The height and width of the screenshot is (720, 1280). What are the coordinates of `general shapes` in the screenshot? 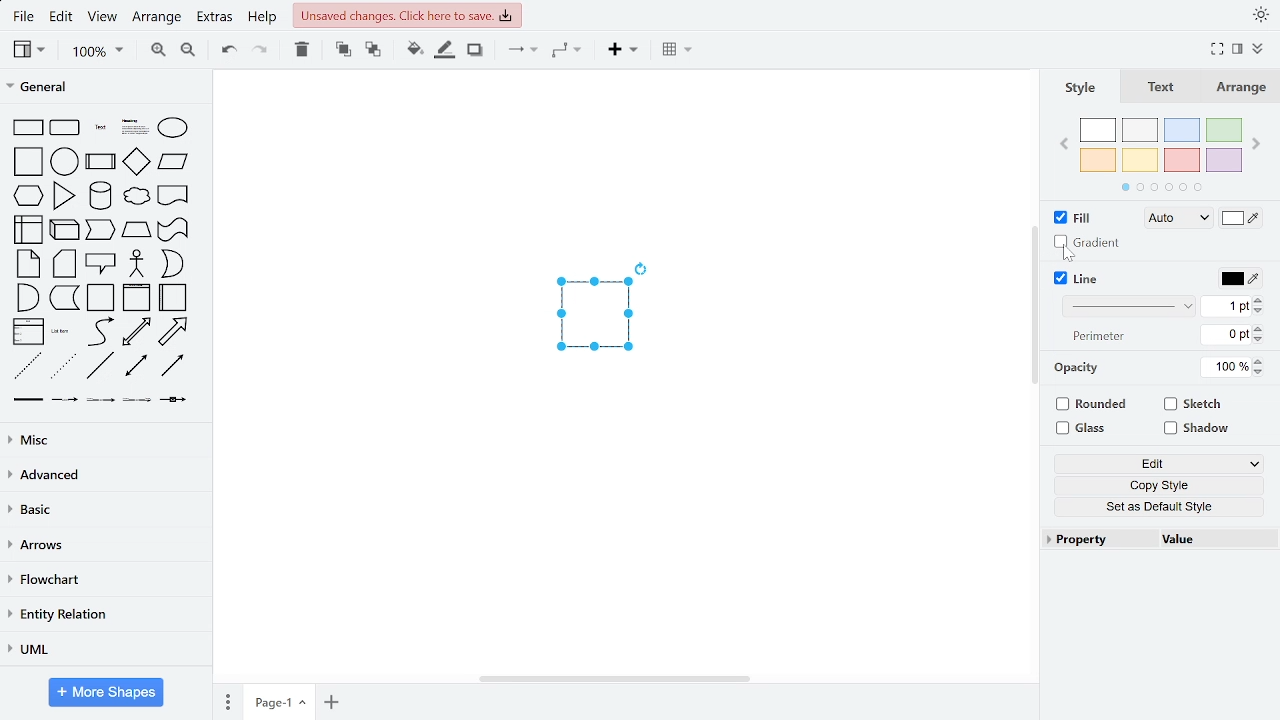 It's located at (132, 125).